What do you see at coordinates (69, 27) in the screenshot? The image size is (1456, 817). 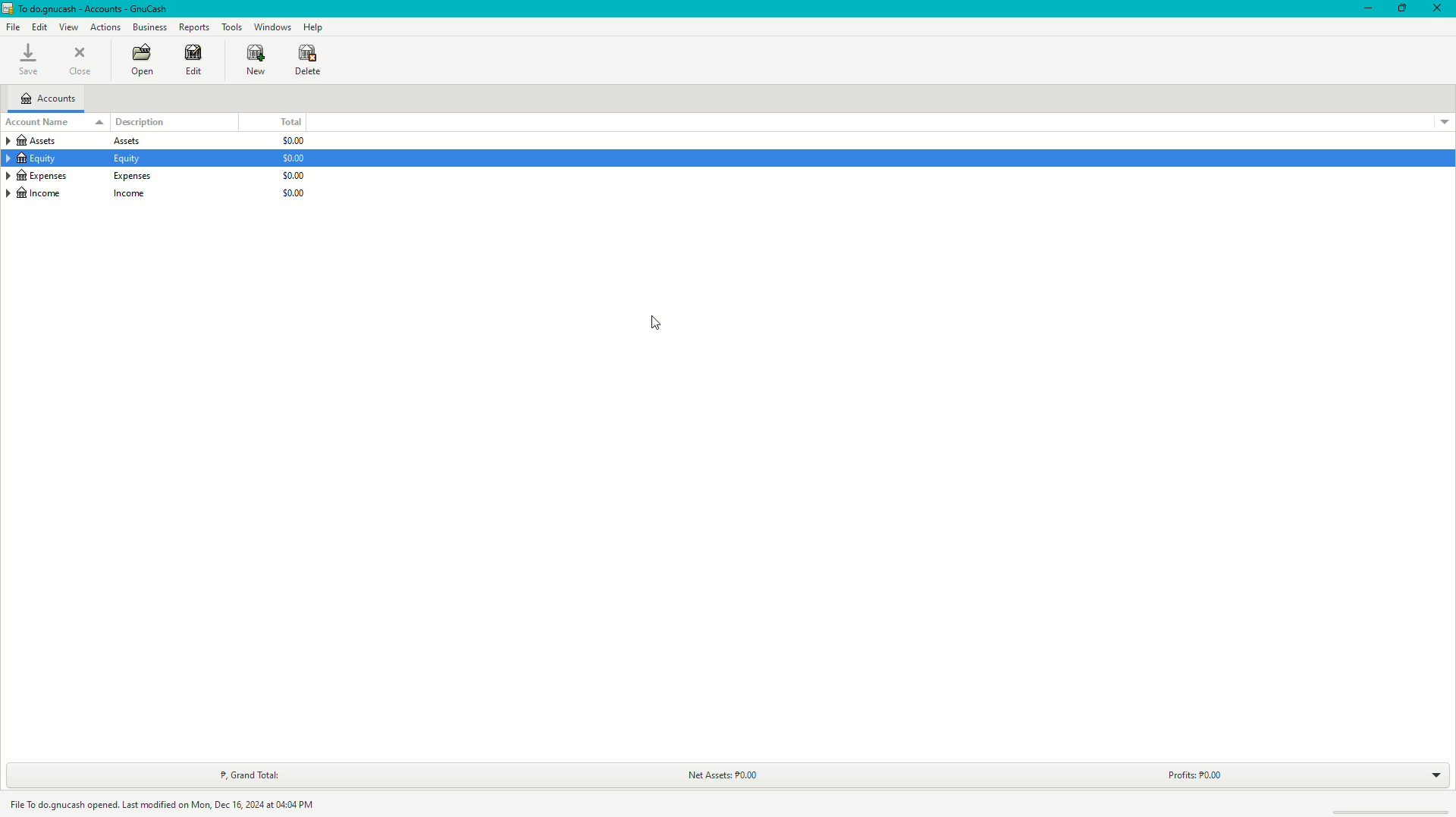 I see `View` at bounding box center [69, 27].